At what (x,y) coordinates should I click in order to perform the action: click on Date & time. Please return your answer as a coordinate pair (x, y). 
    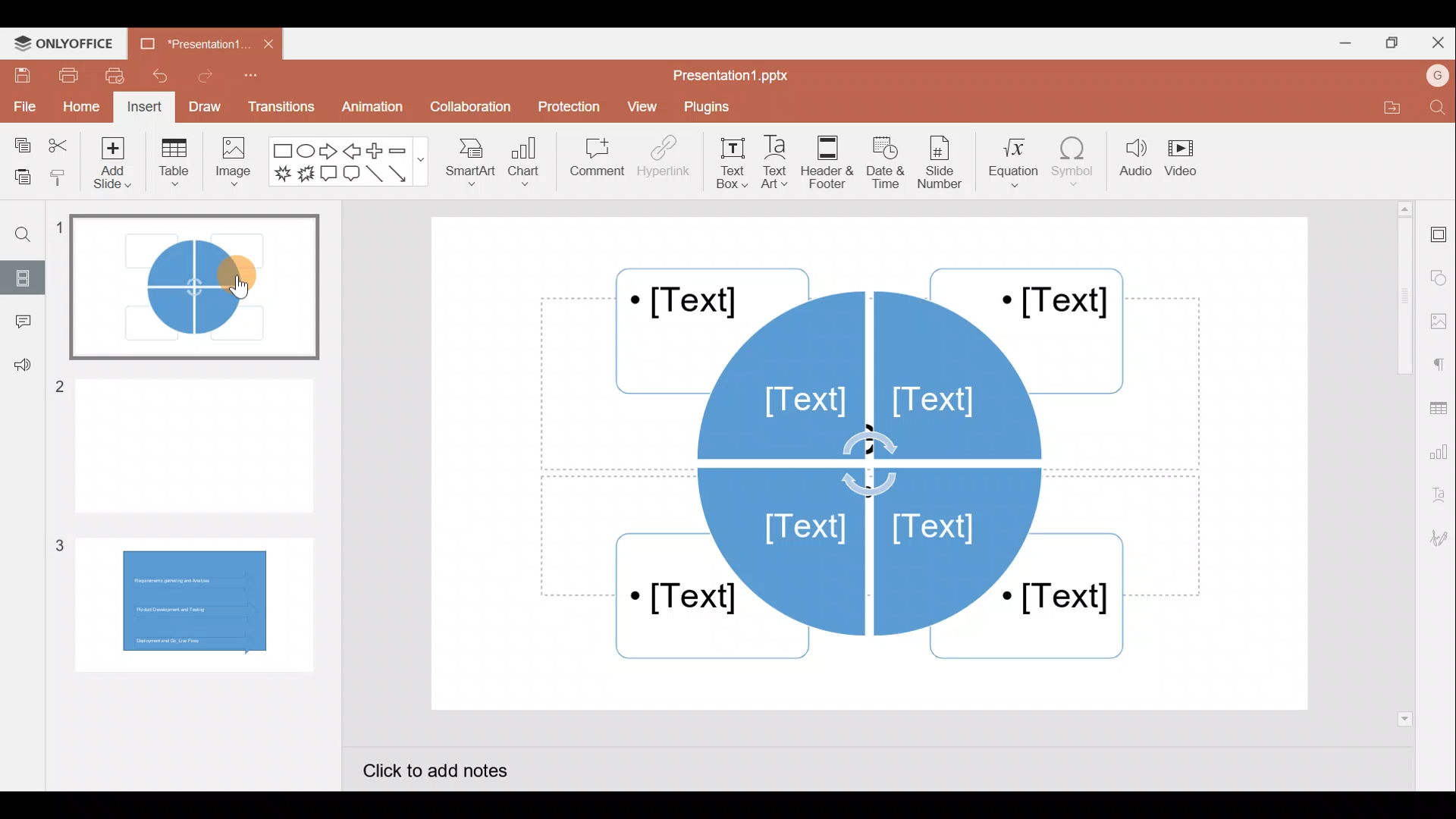
    Looking at the image, I should click on (889, 162).